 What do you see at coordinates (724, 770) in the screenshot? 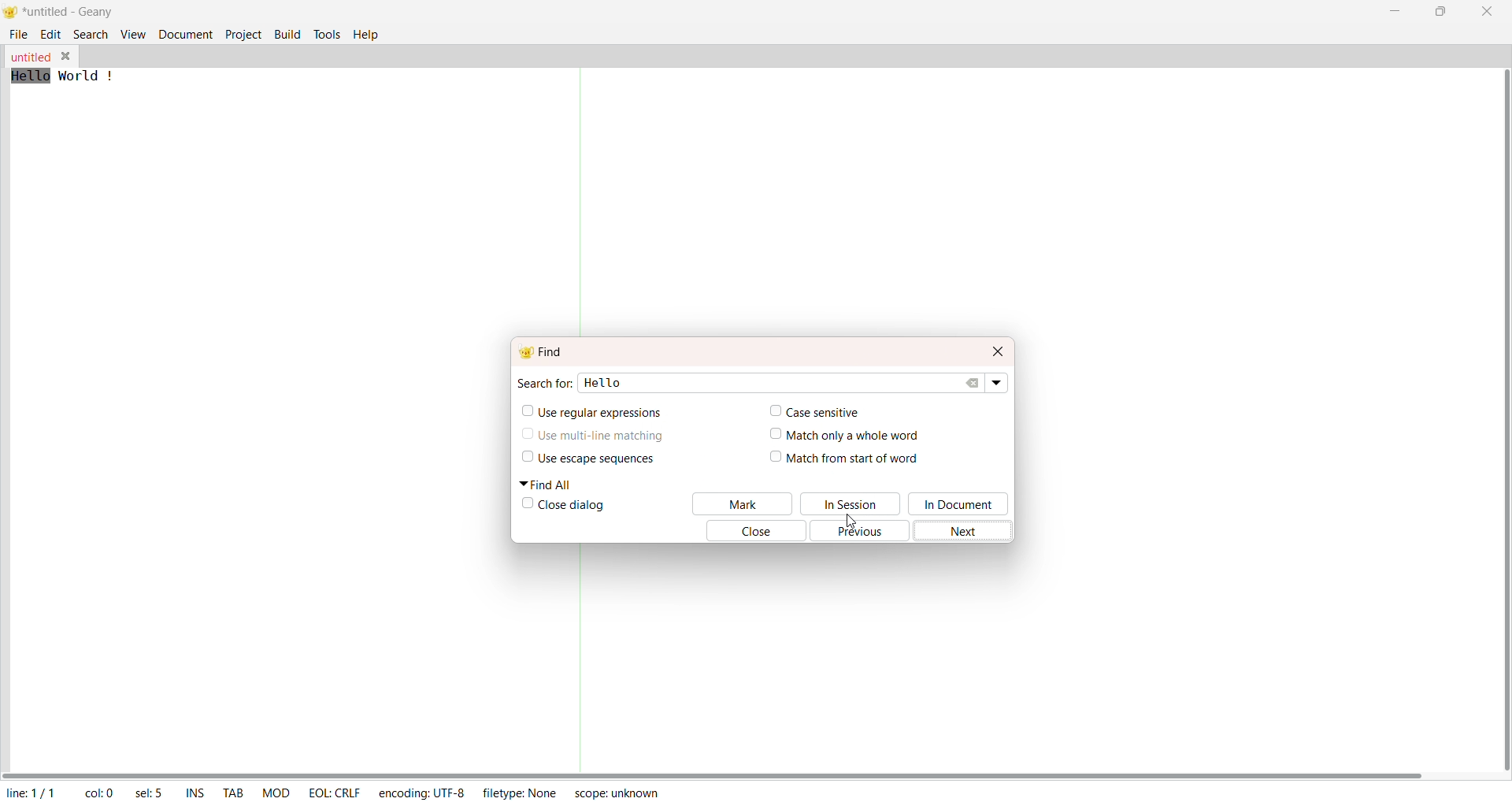
I see `Horizontal Scroll Bar` at bounding box center [724, 770].